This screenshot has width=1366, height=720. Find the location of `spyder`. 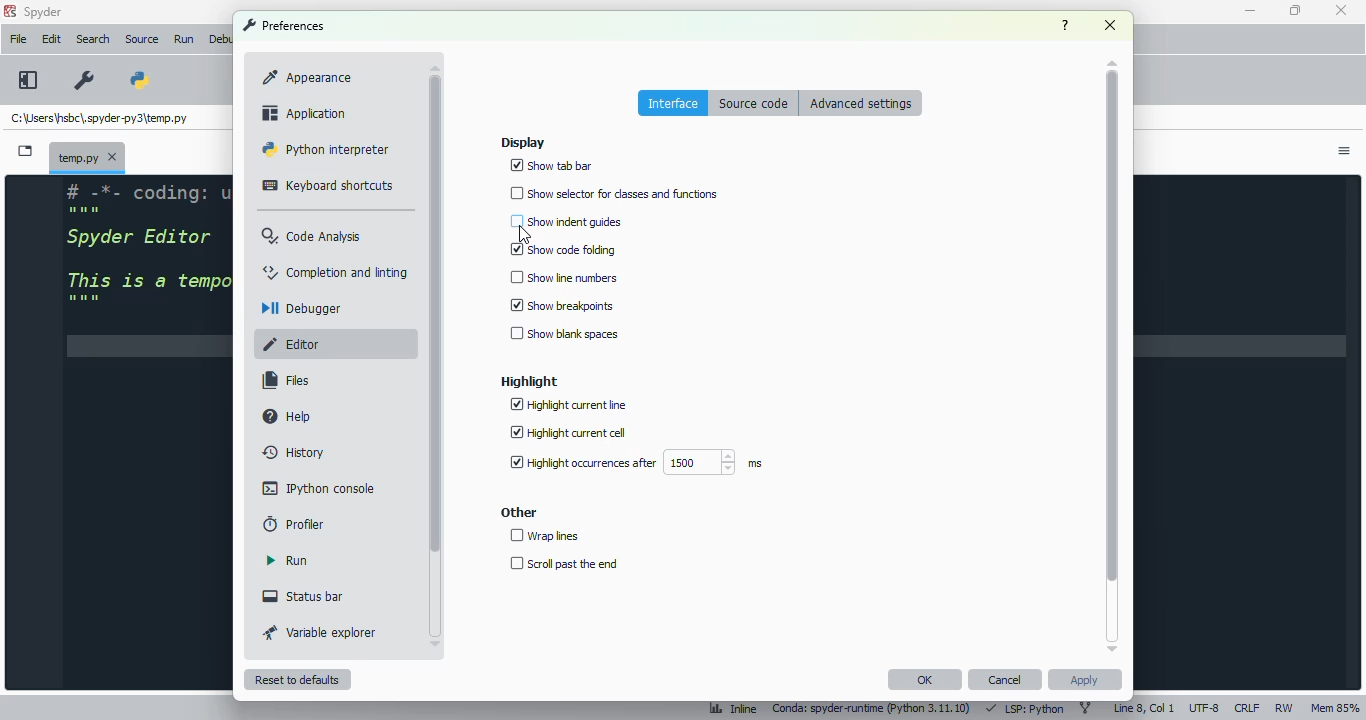

spyder is located at coordinates (43, 12).